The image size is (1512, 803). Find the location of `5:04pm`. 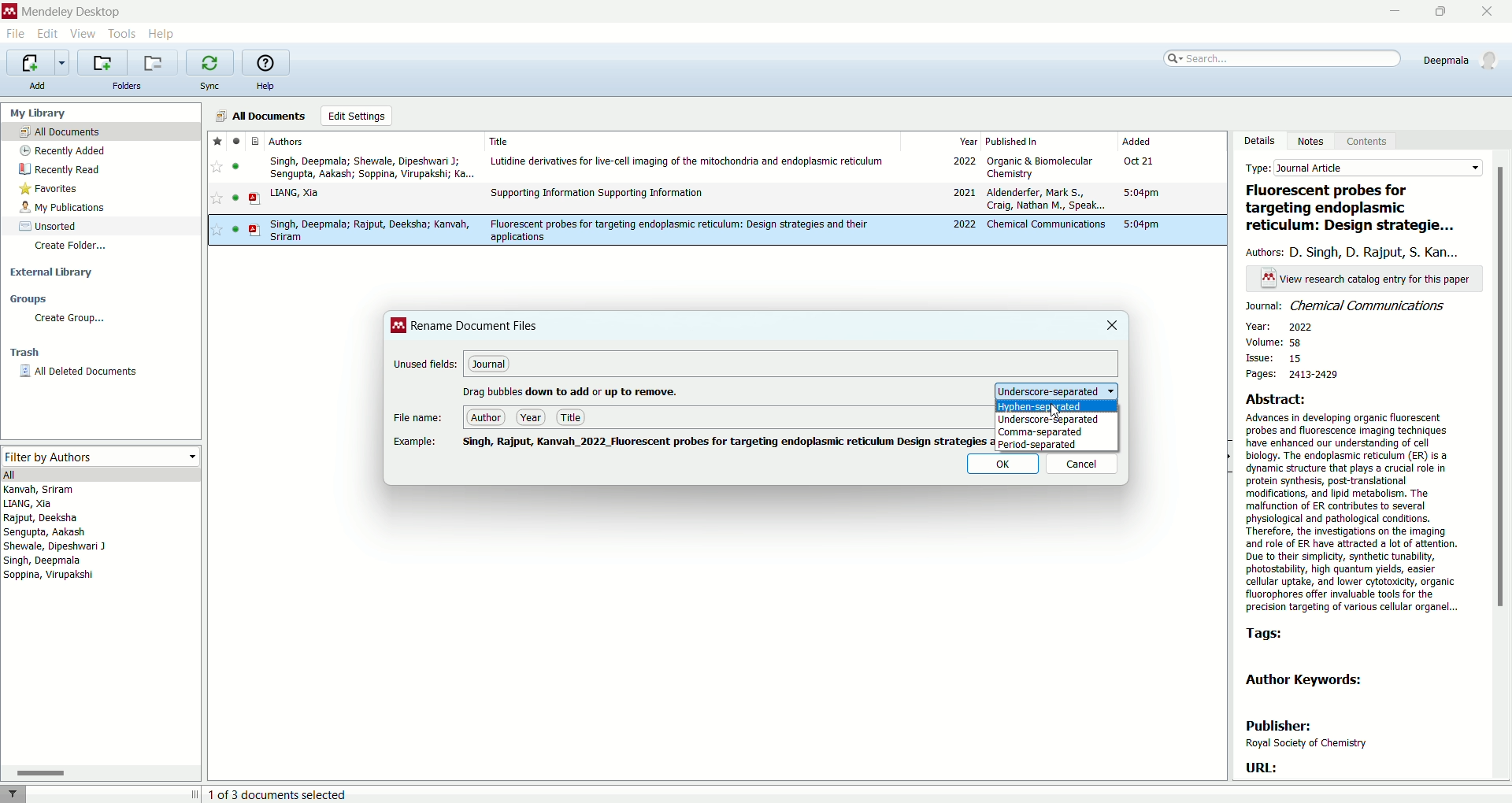

5:04pm is located at coordinates (1141, 193).